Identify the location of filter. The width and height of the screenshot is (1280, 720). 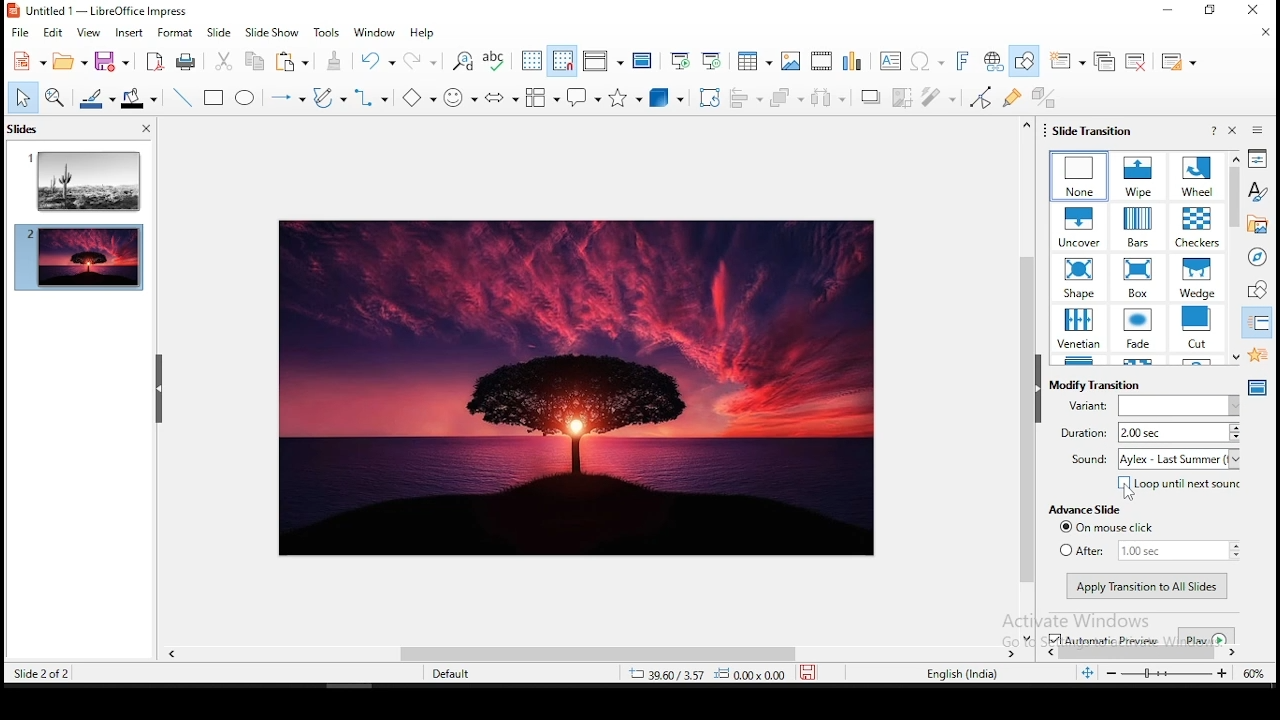
(941, 98).